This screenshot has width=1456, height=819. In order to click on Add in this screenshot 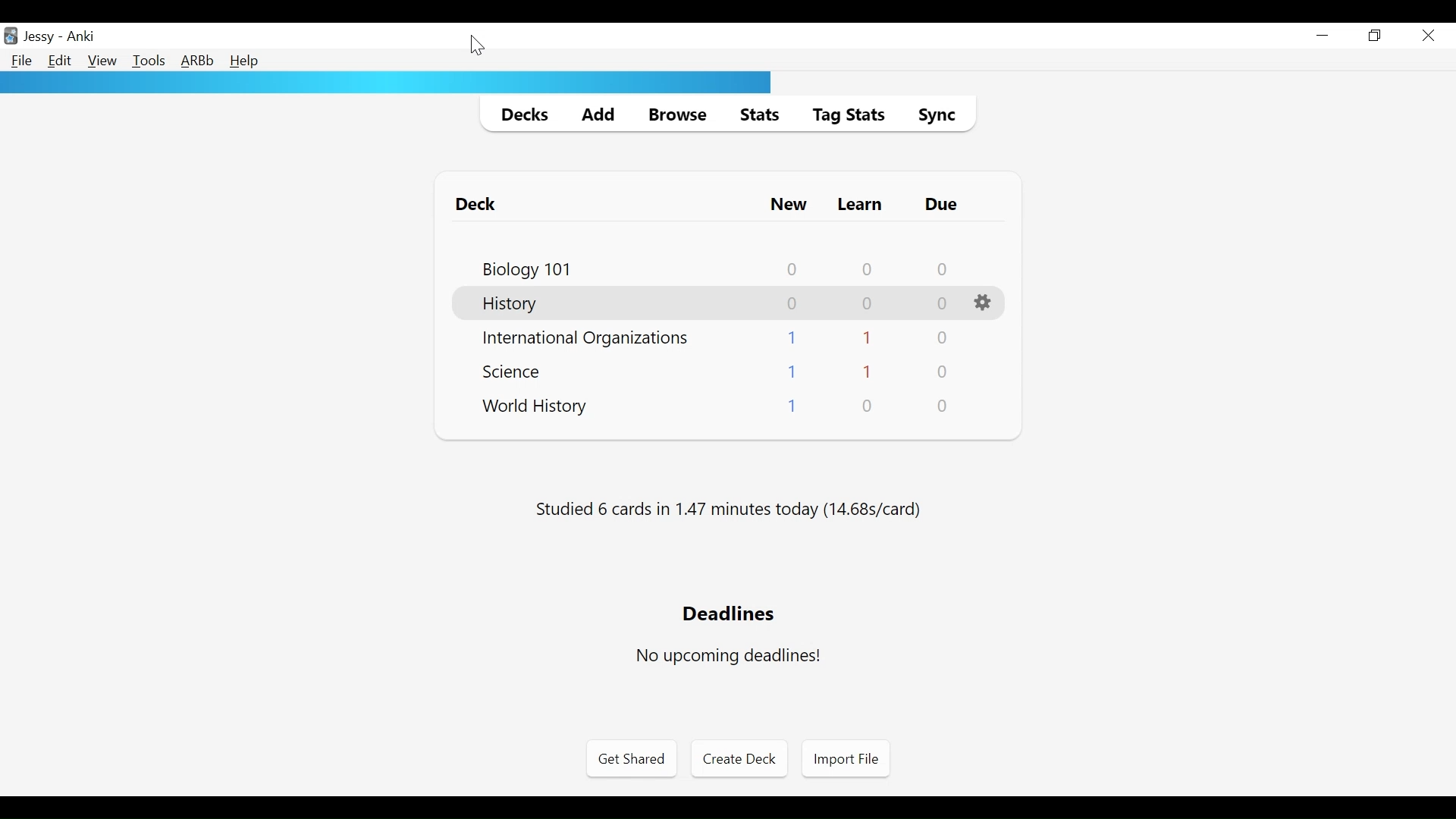, I will do `click(595, 113)`.